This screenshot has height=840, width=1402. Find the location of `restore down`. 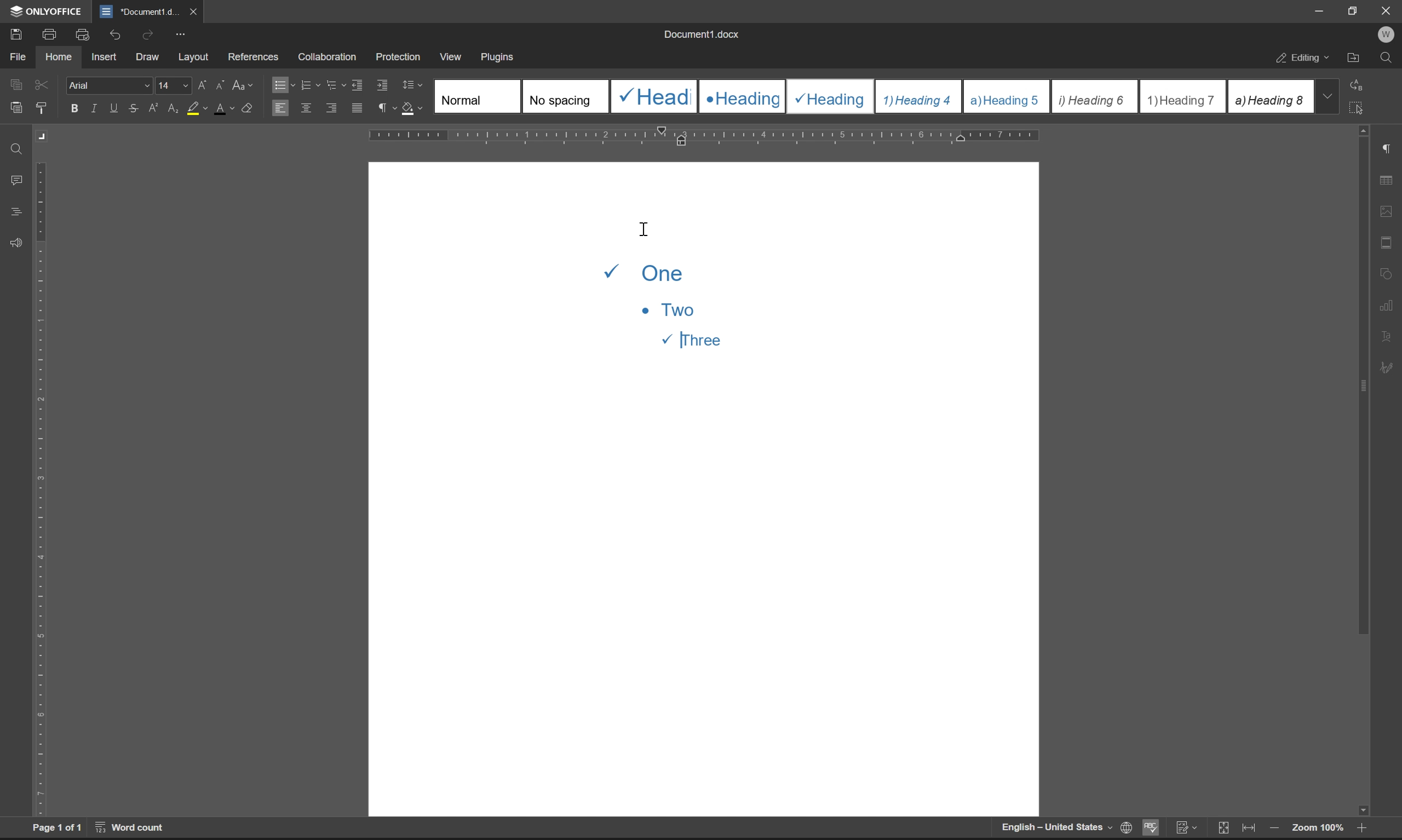

restore down is located at coordinates (1356, 10).